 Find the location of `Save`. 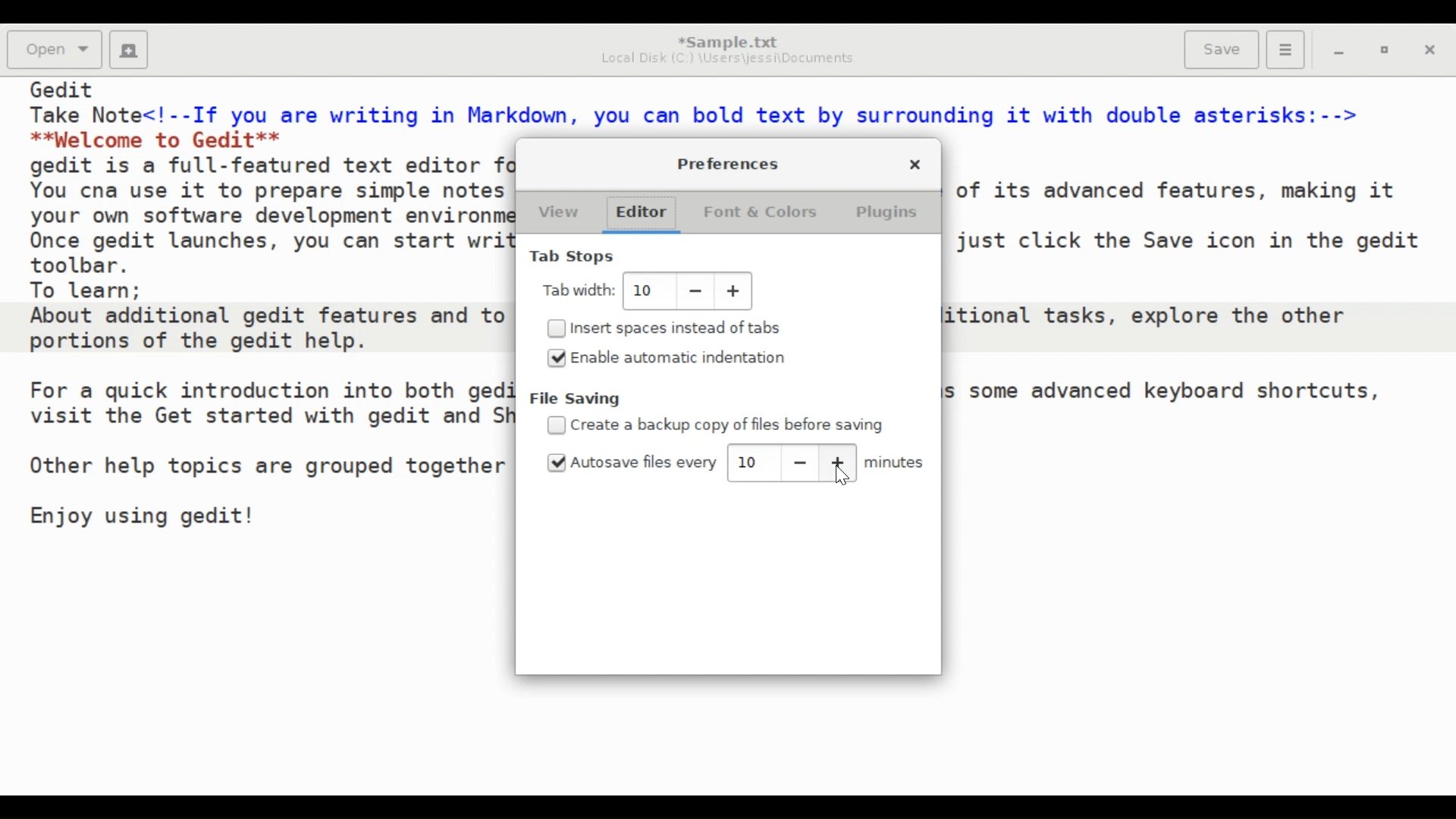

Save is located at coordinates (1222, 48).